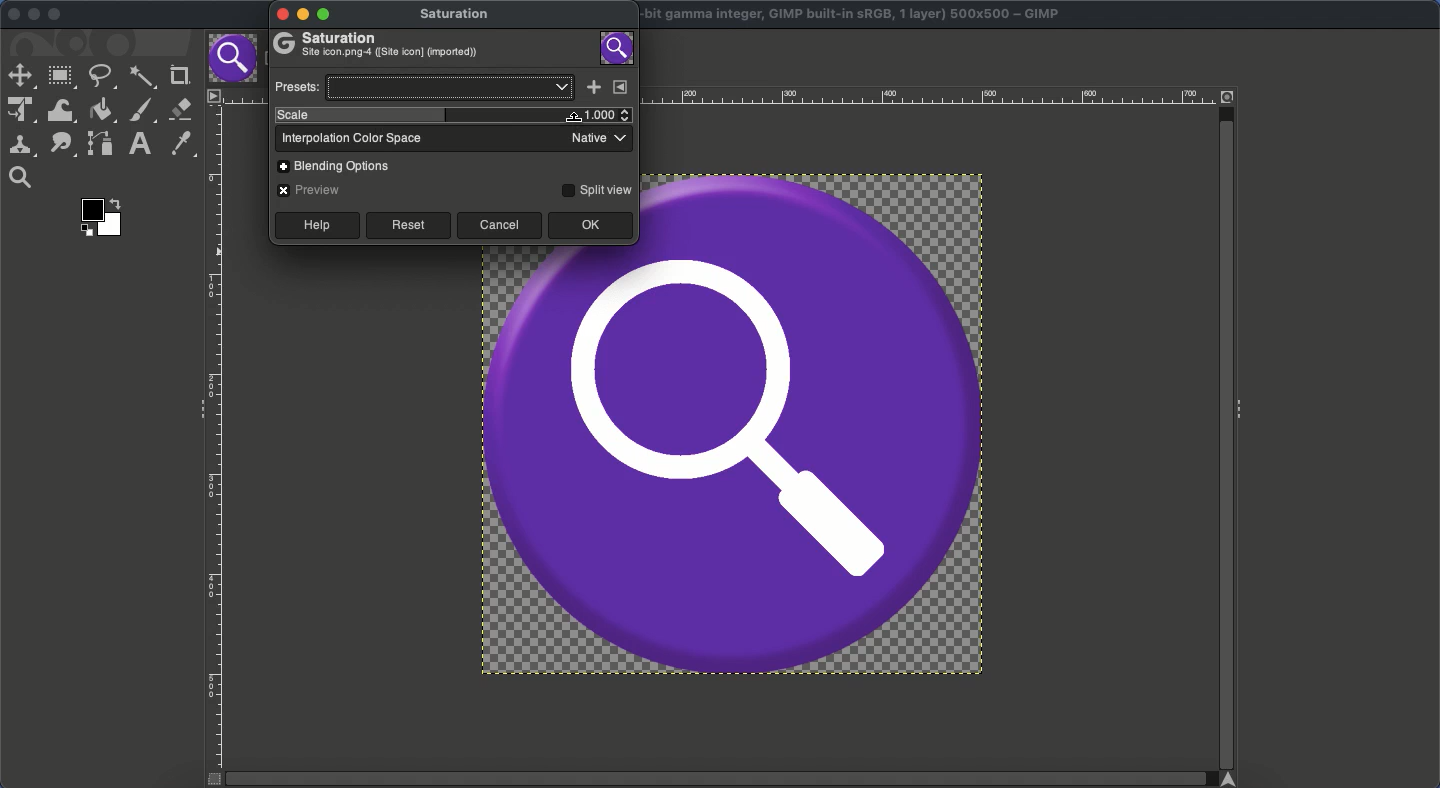 The image size is (1440, 788). I want to click on Image, so click(735, 459).